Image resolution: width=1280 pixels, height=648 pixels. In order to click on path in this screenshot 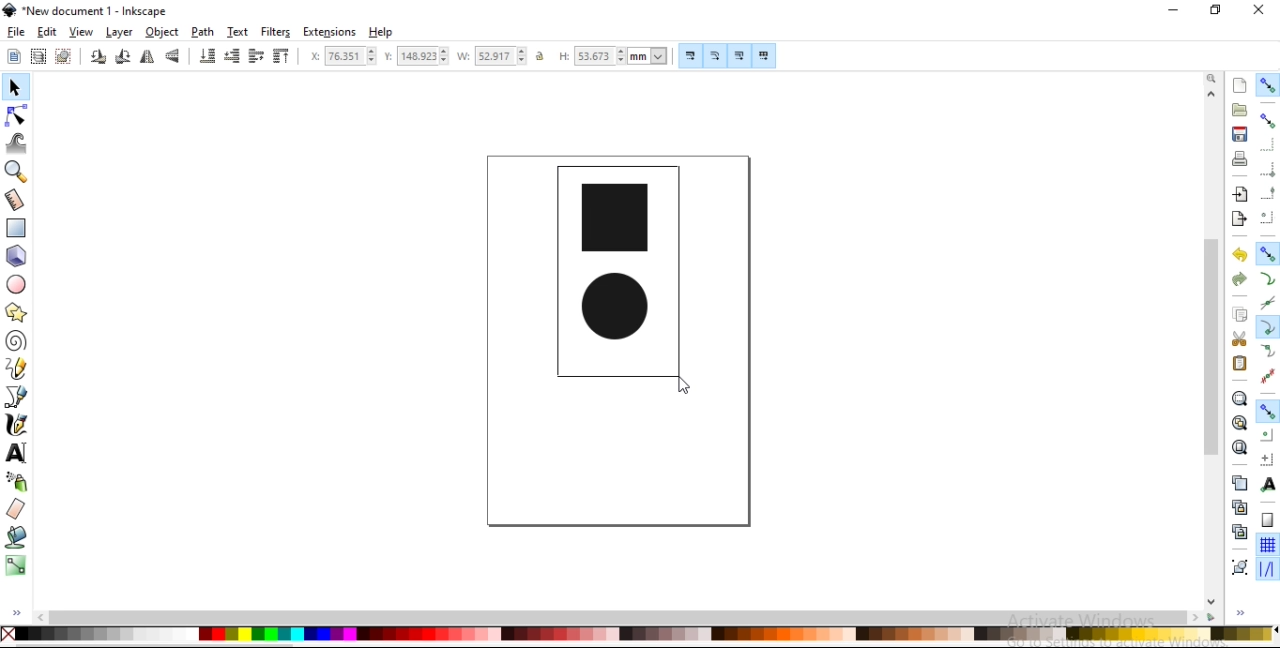, I will do `click(203, 31)`.